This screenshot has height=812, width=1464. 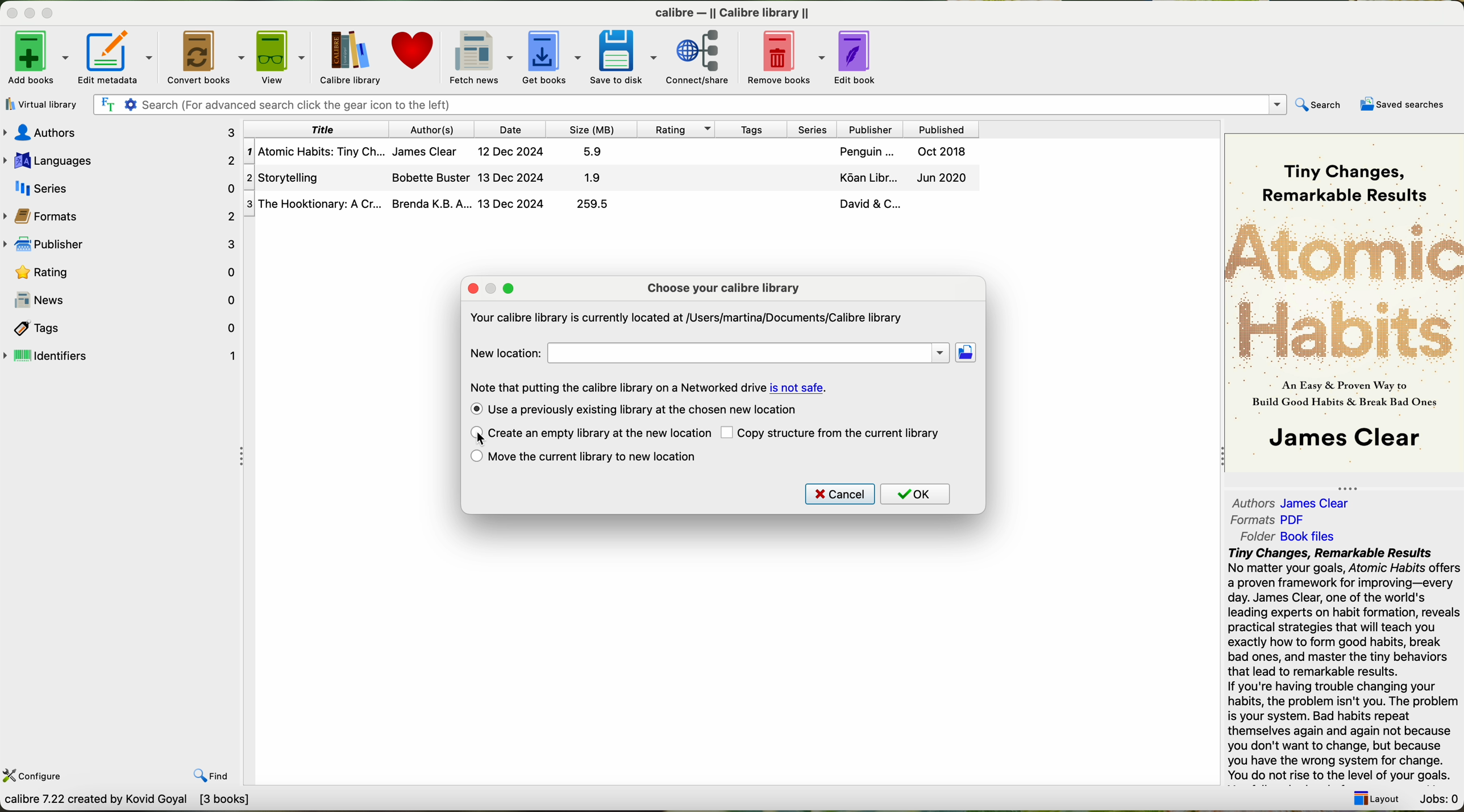 What do you see at coordinates (495, 289) in the screenshot?
I see `minimize` at bounding box center [495, 289].